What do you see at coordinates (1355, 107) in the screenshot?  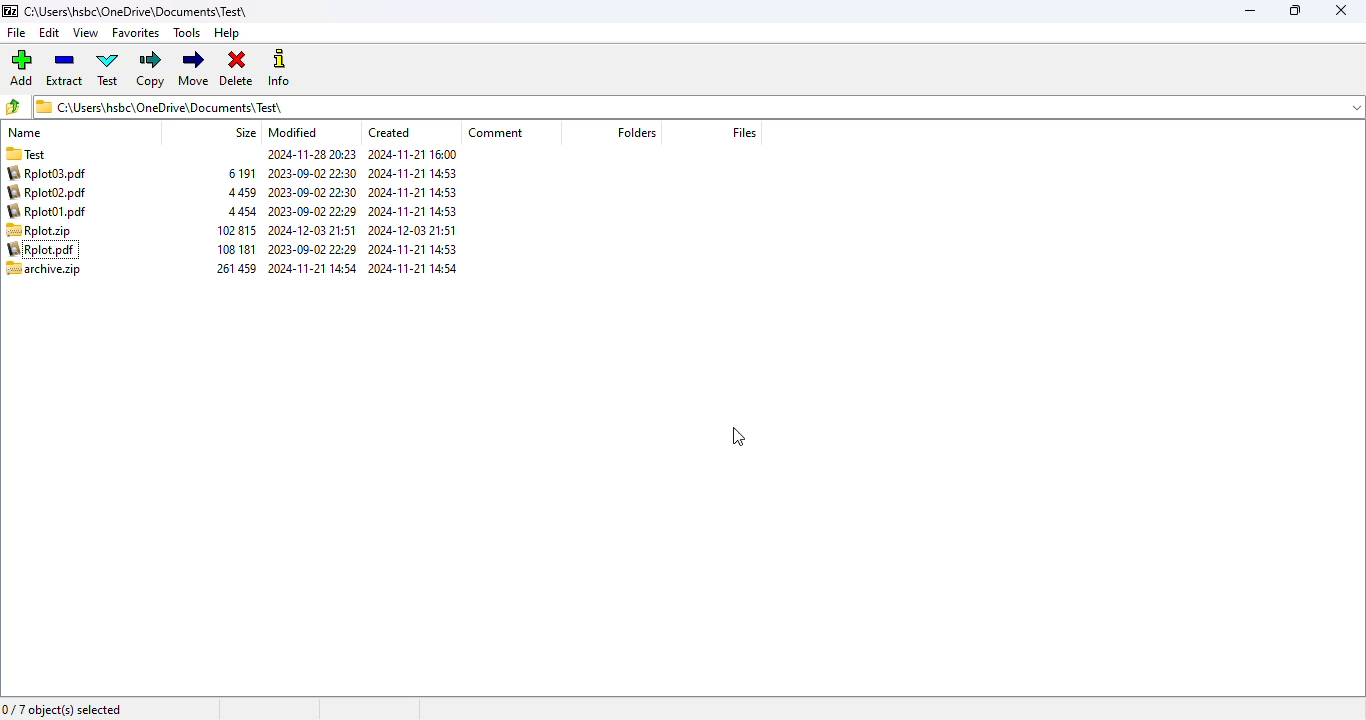 I see `dropdown` at bounding box center [1355, 107].